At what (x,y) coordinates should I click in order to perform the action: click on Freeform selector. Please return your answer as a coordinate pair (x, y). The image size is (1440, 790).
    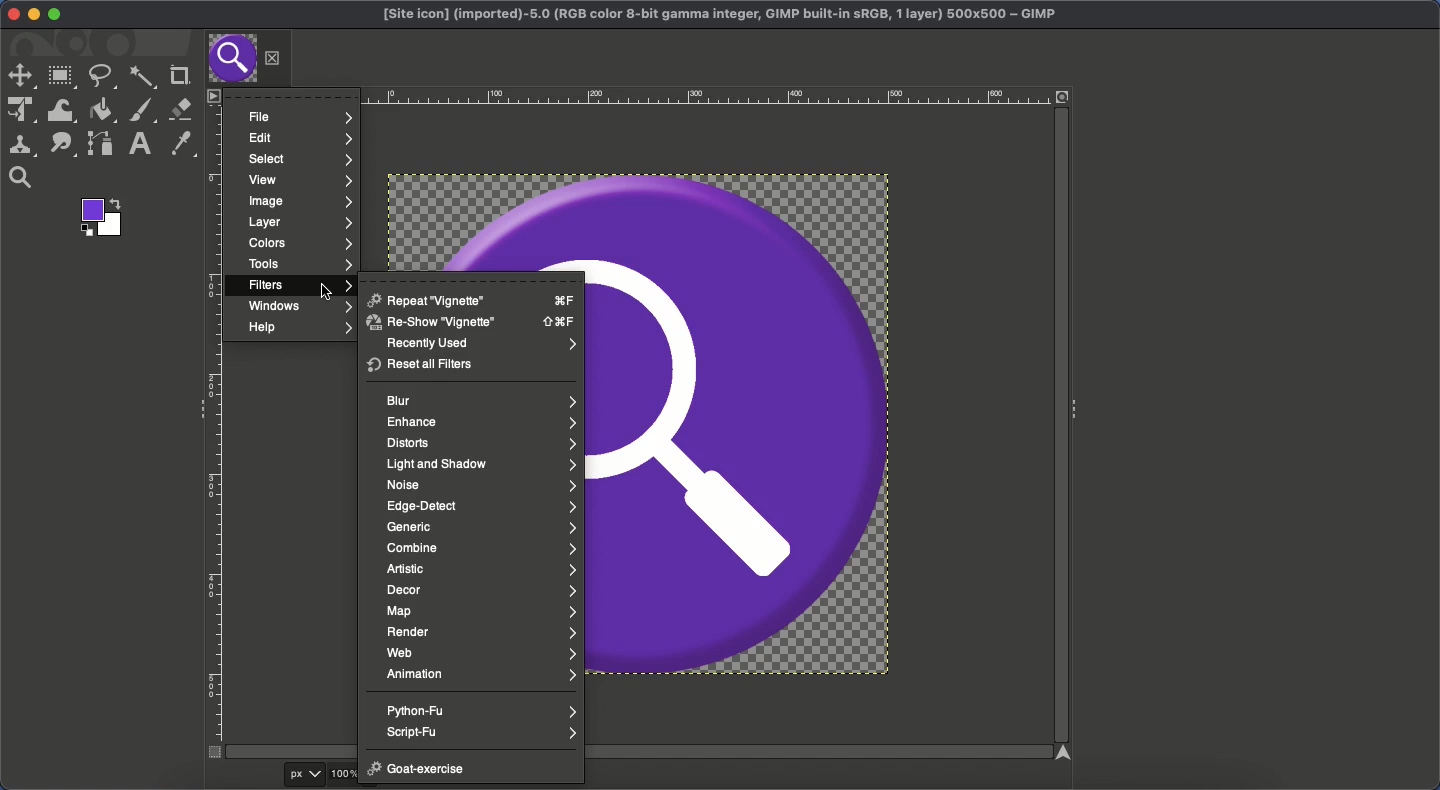
    Looking at the image, I should click on (101, 76).